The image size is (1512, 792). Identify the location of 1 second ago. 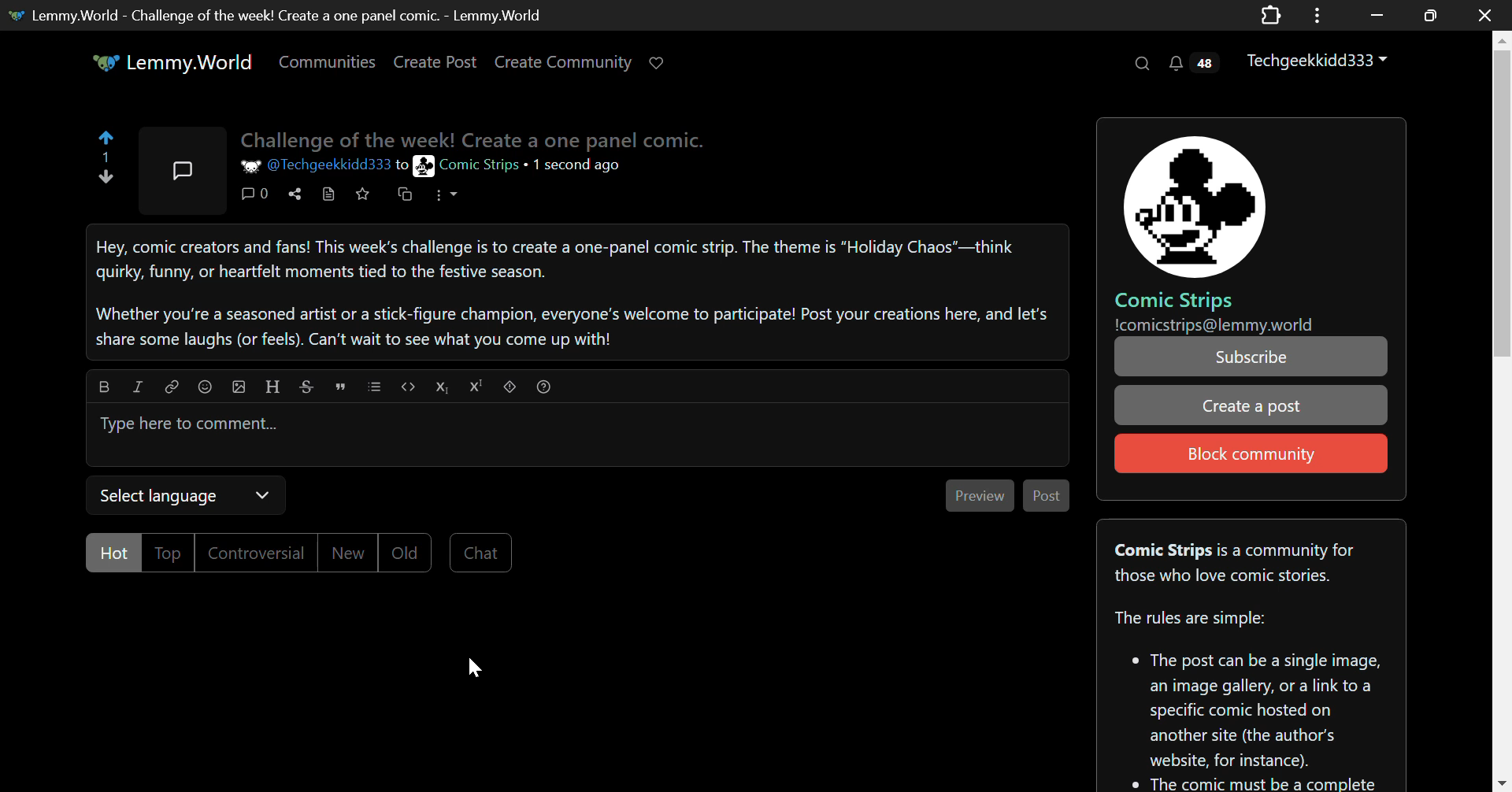
(590, 165).